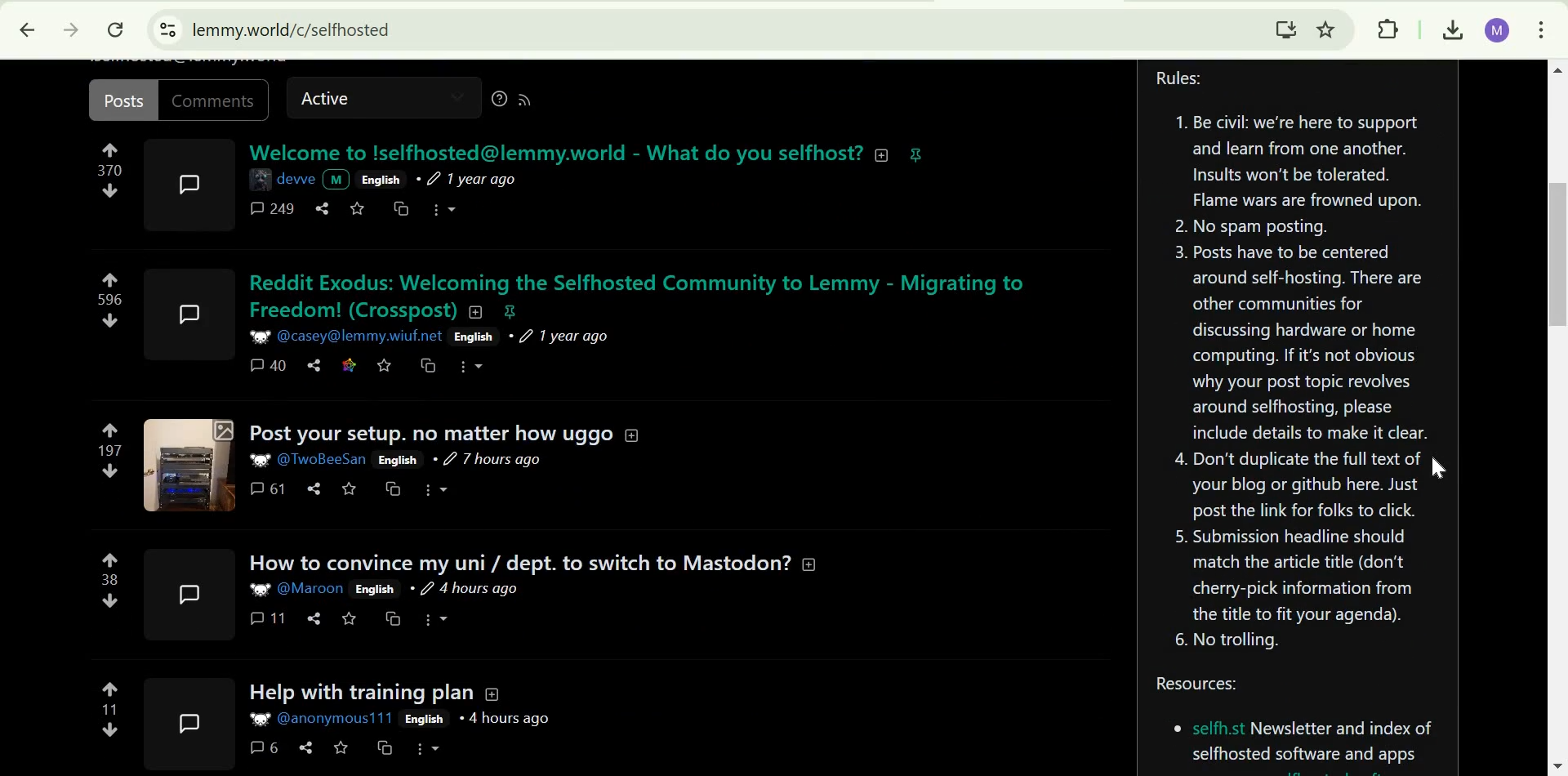 This screenshot has height=776, width=1568. Describe the element at coordinates (118, 29) in the screenshot. I see `Reload this page.` at that location.